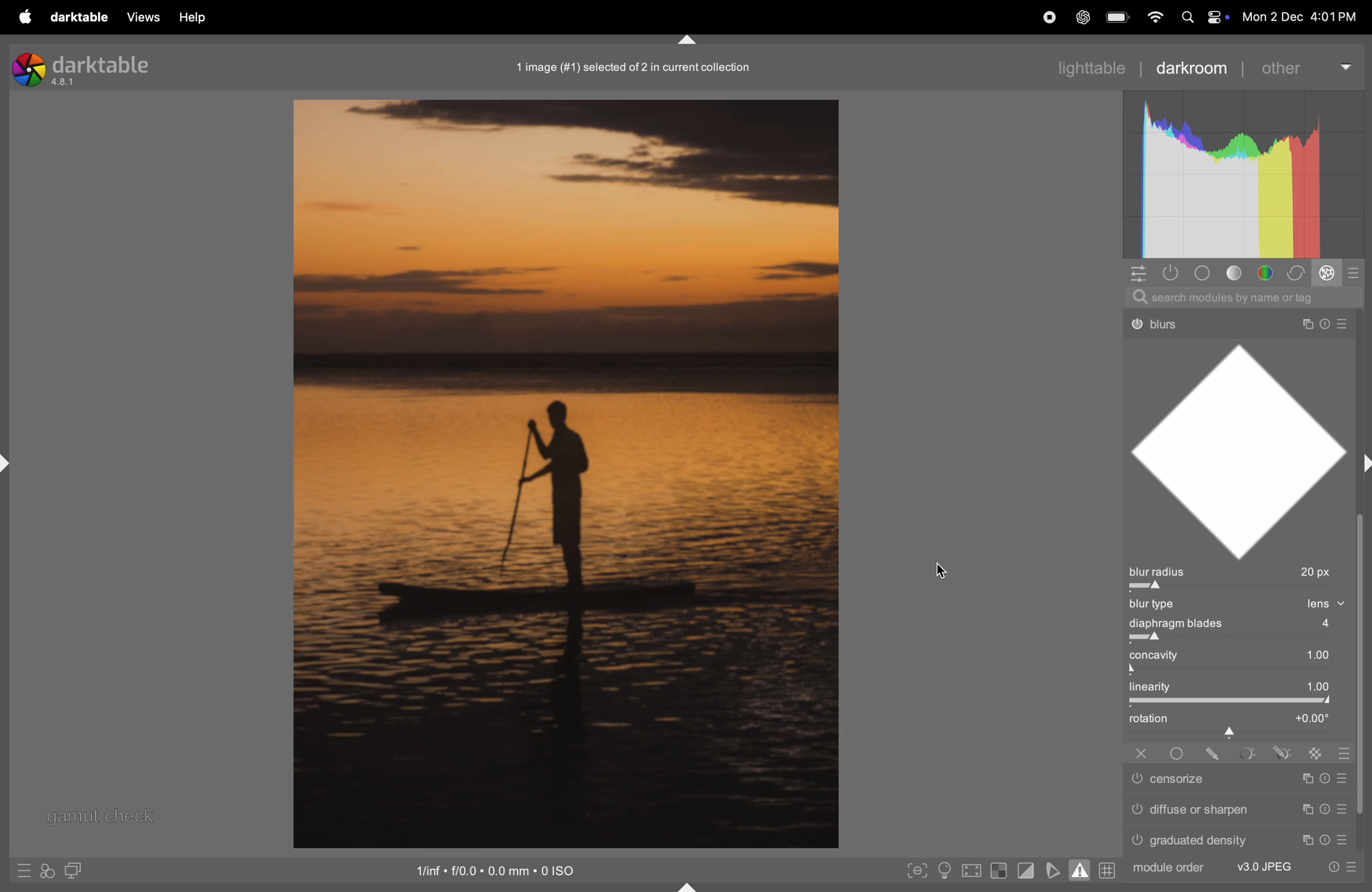 The width and height of the screenshot is (1372, 892). I want to click on blur, so click(1158, 605).